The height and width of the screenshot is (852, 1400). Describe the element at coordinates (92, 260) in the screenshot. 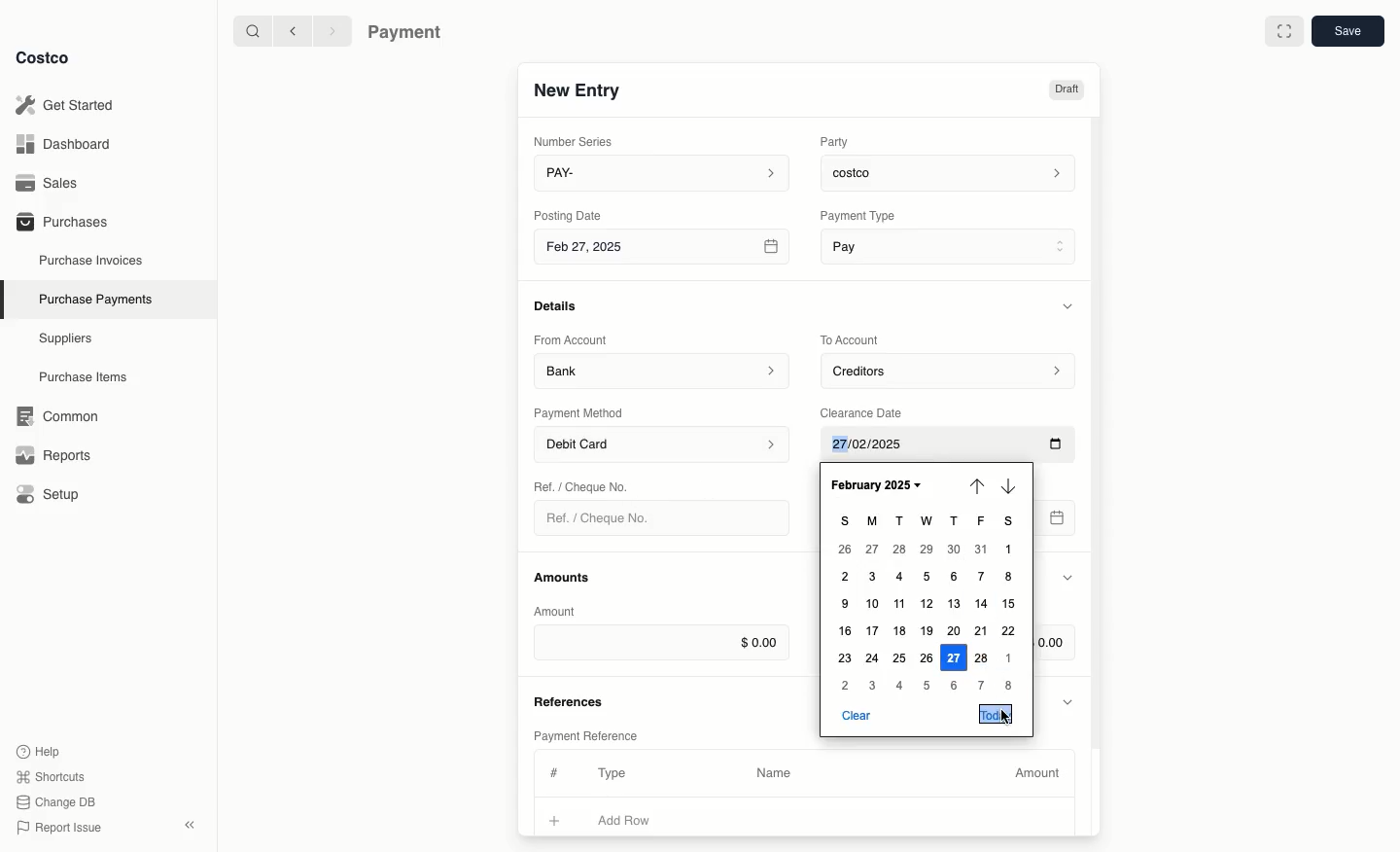

I see `Purchase Invoices` at that location.